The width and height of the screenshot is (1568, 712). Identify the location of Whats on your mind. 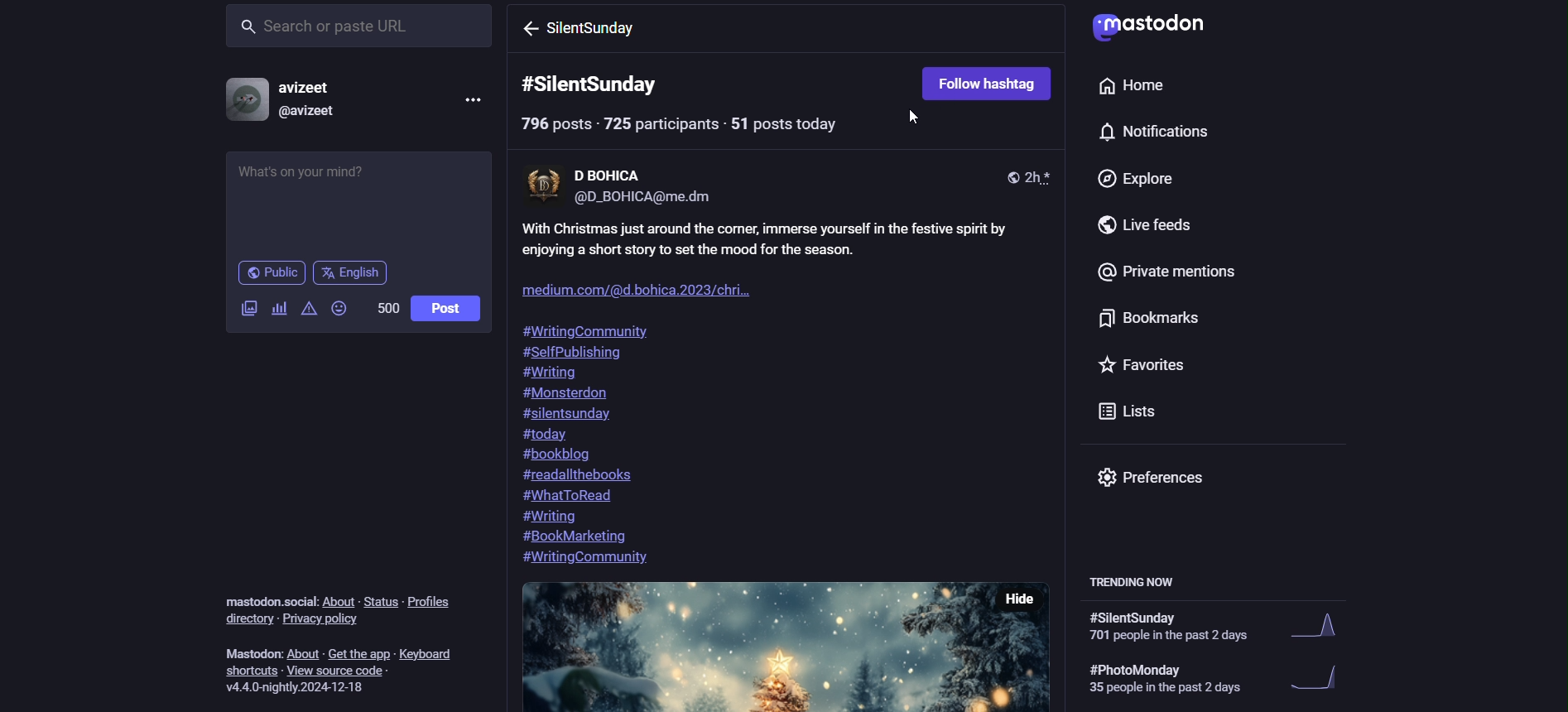
(359, 204).